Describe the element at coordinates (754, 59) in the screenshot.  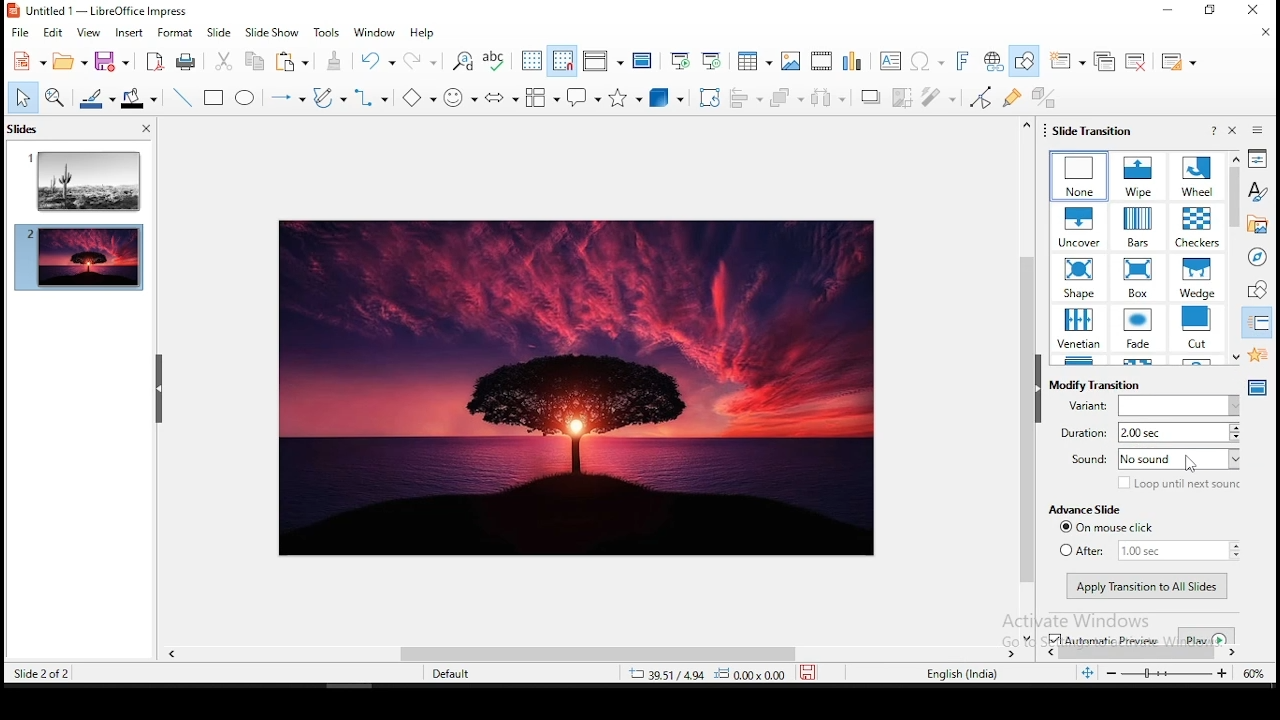
I see `tables` at that location.